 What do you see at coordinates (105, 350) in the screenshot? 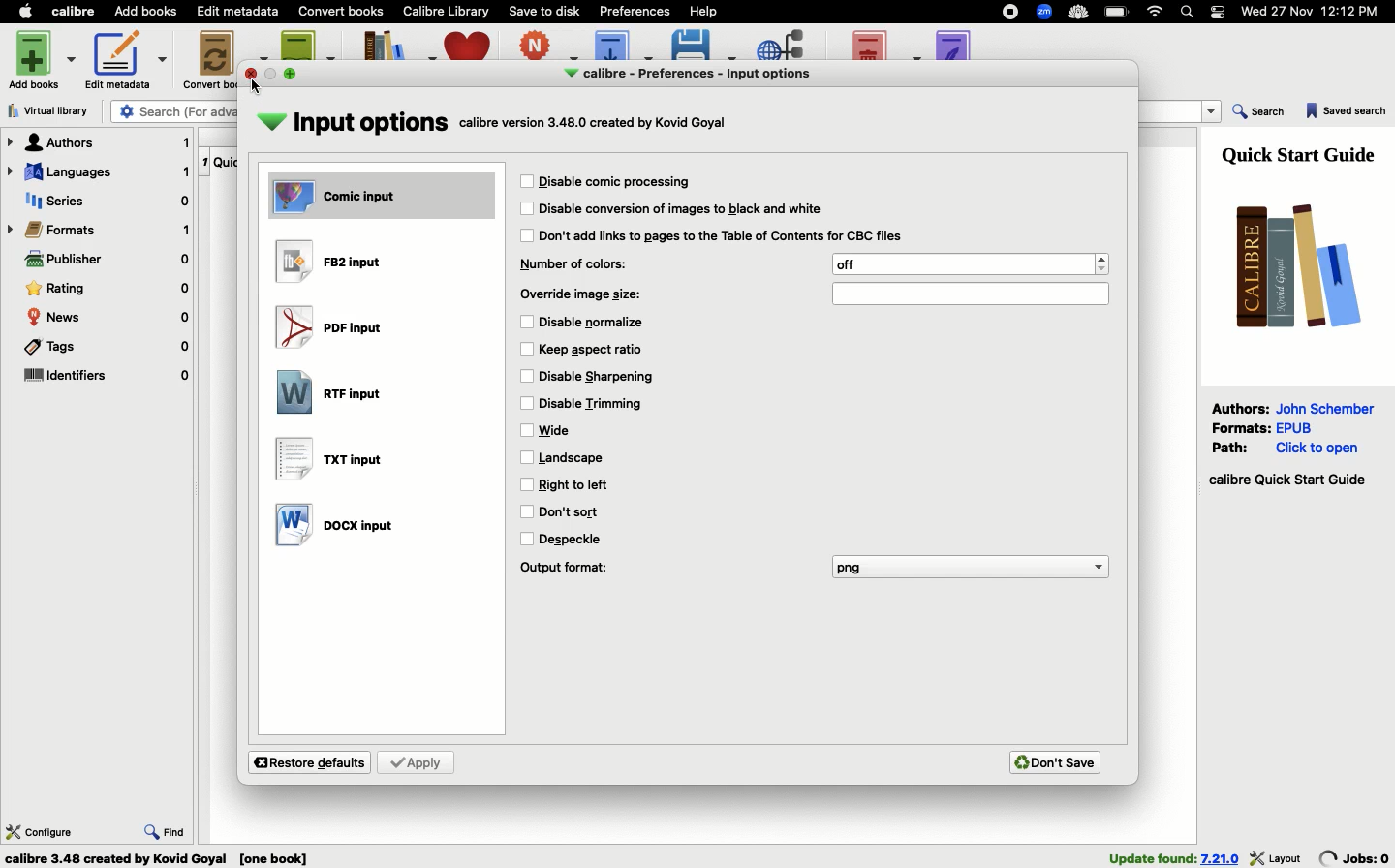
I see `Tags` at bounding box center [105, 350].